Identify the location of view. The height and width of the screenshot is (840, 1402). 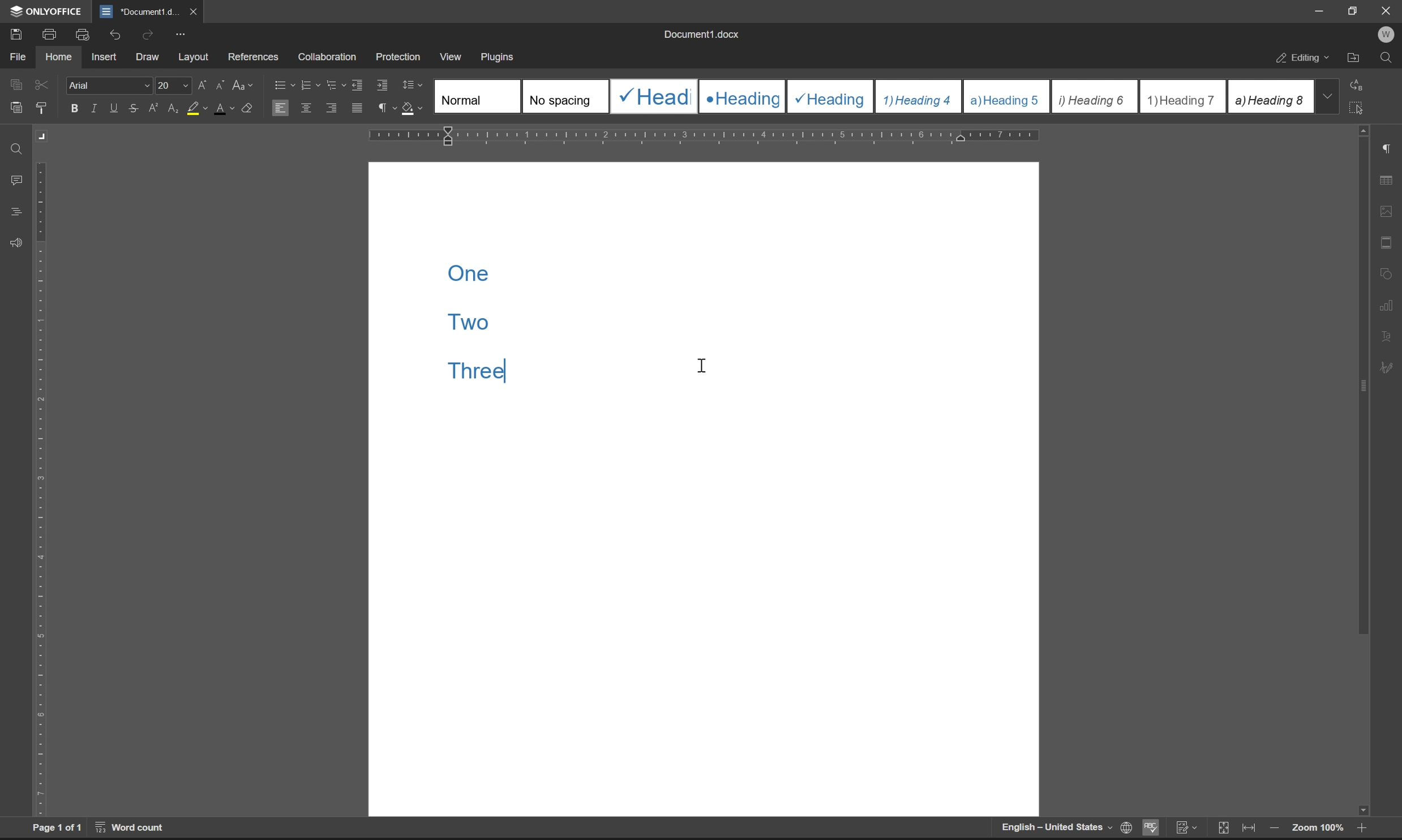
(449, 54).